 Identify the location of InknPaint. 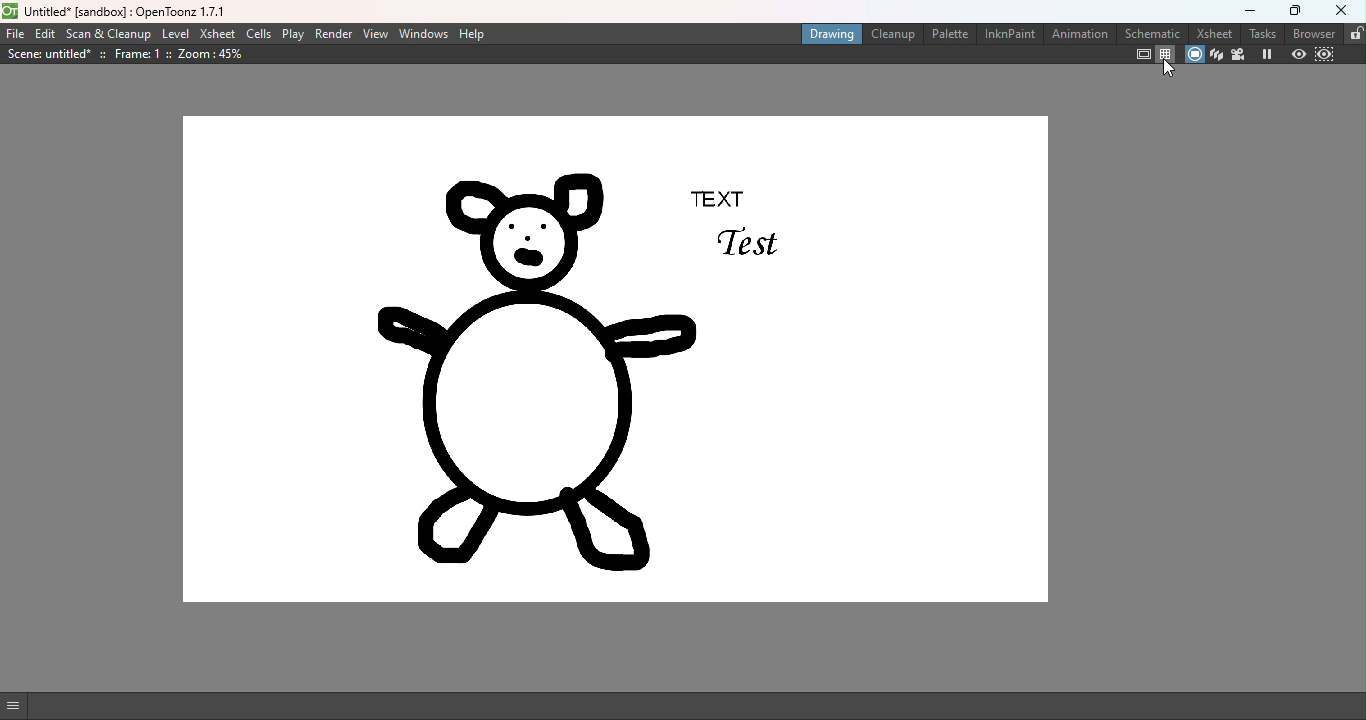
(1005, 34).